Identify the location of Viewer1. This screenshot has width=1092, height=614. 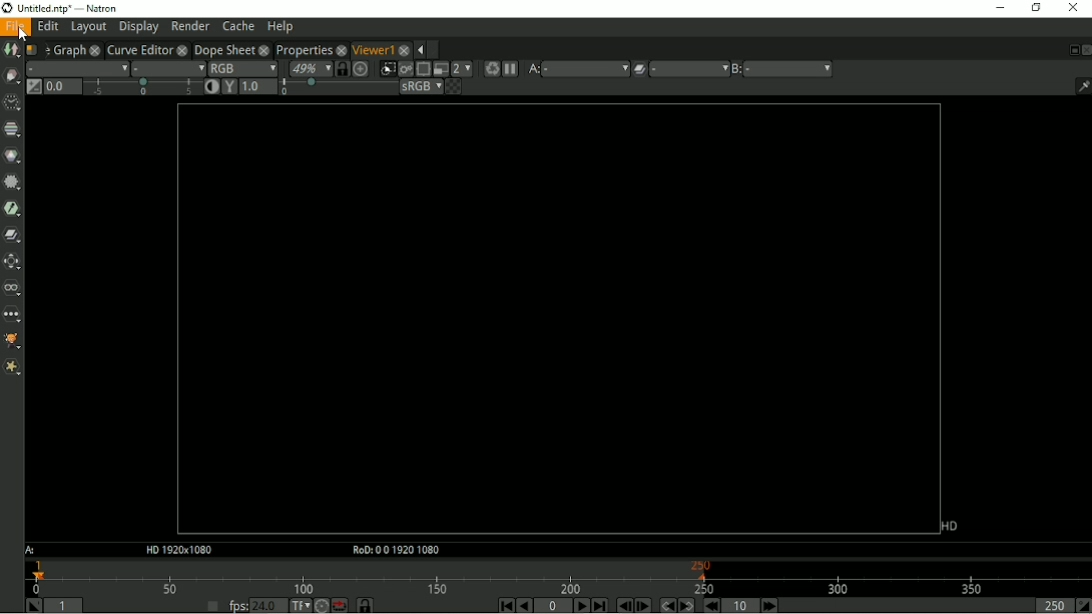
(372, 49).